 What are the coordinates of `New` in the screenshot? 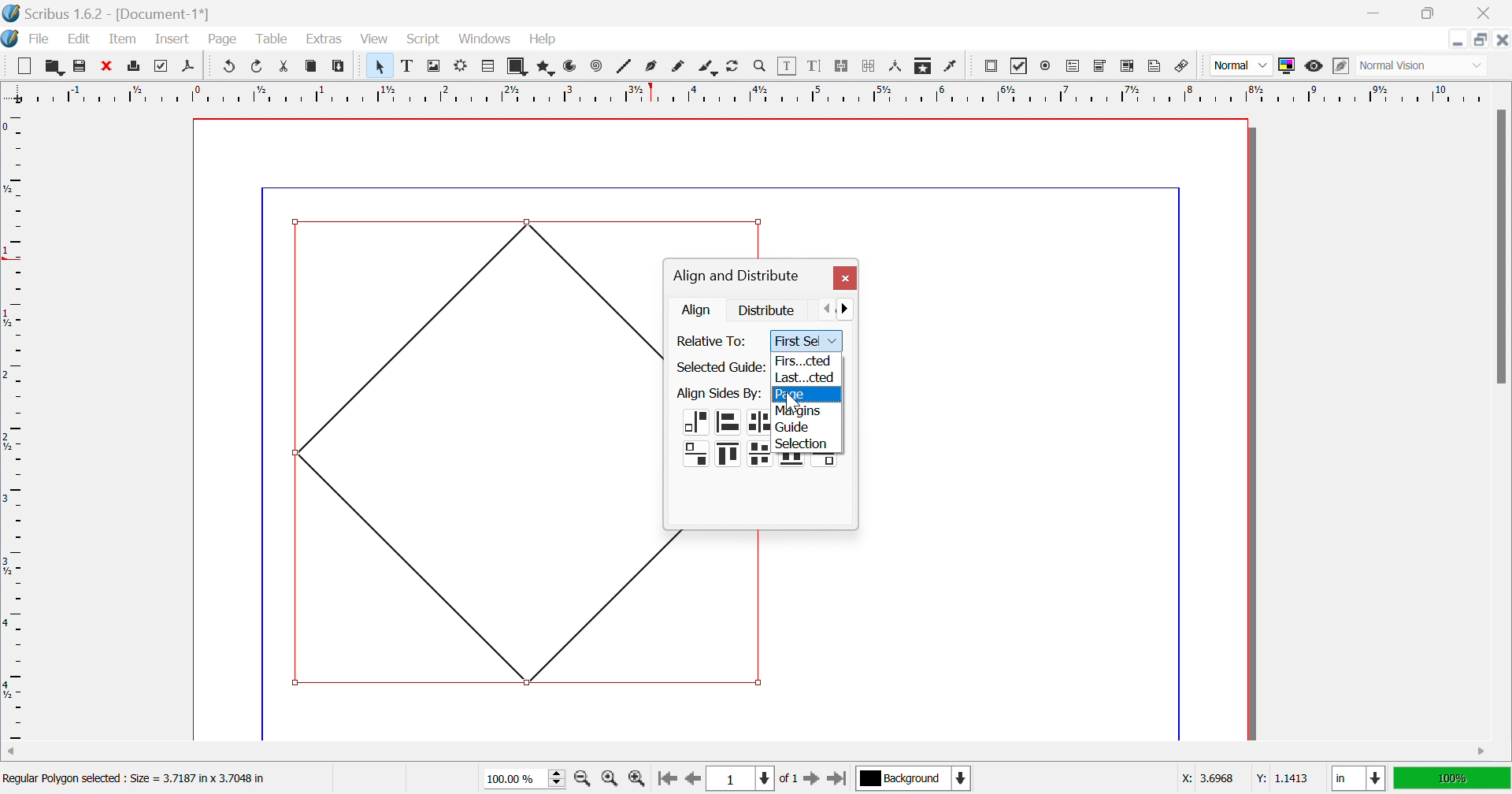 It's located at (24, 66).